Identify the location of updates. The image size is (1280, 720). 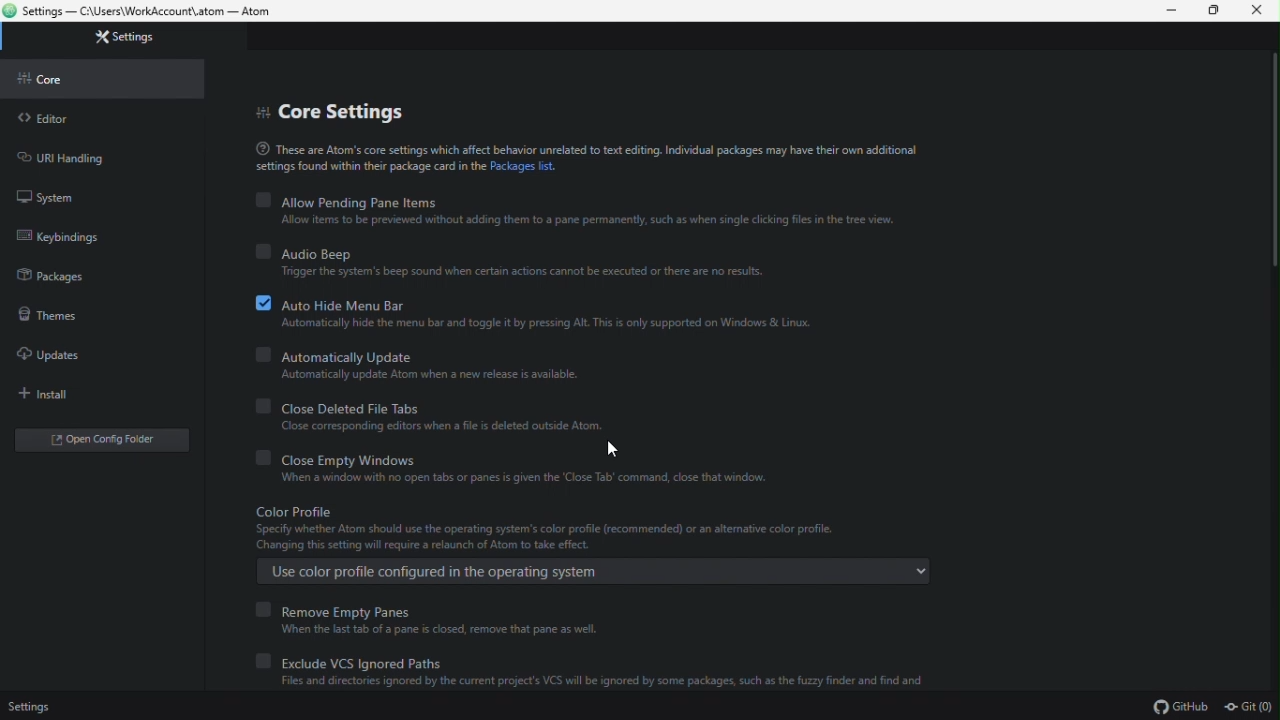
(88, 350).